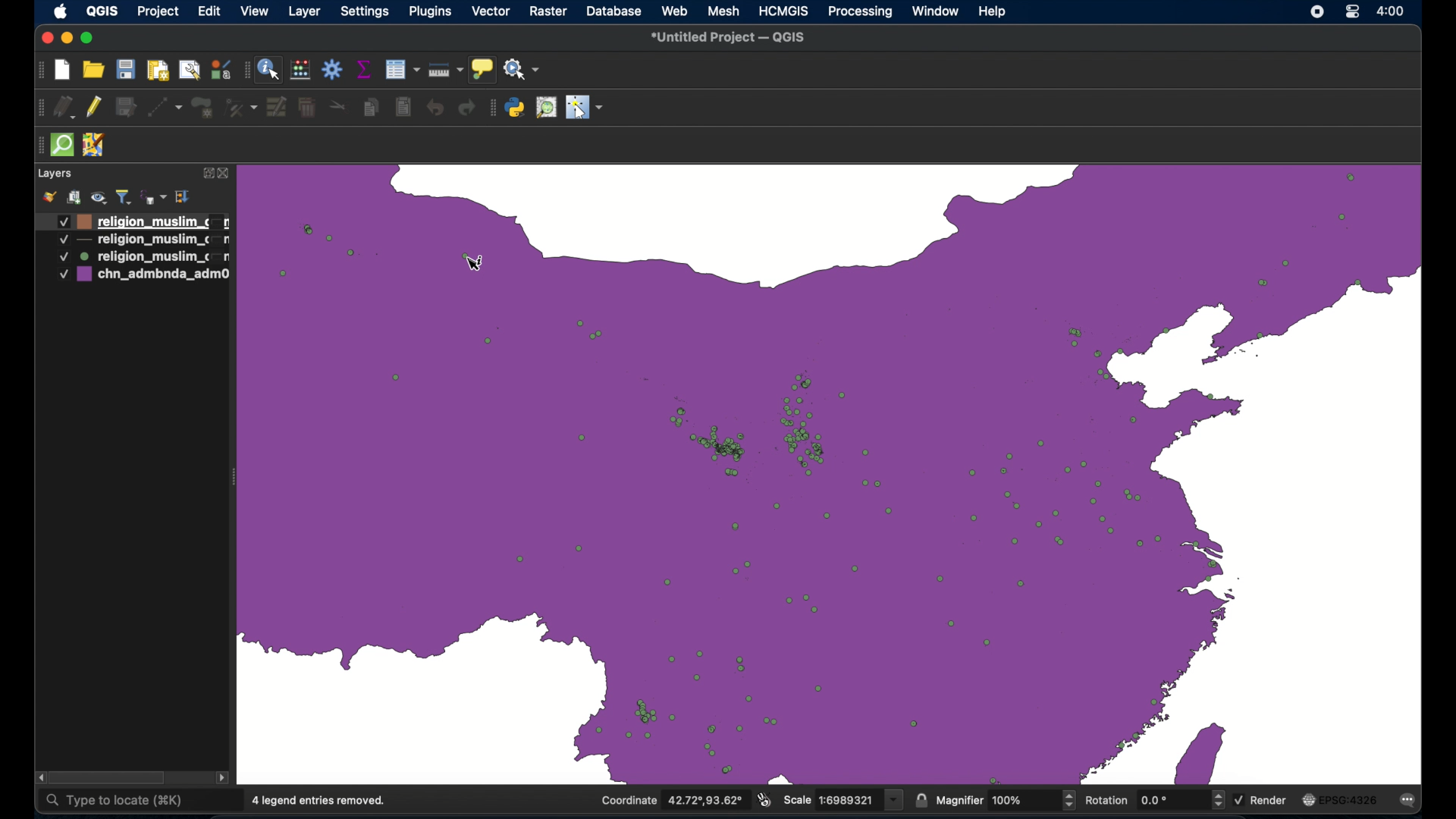 The image size is (1456, 819). What do you see at coordinates (404, 105) in the screenshot?
I see `paste fatures` at bounding box center [404, 105].